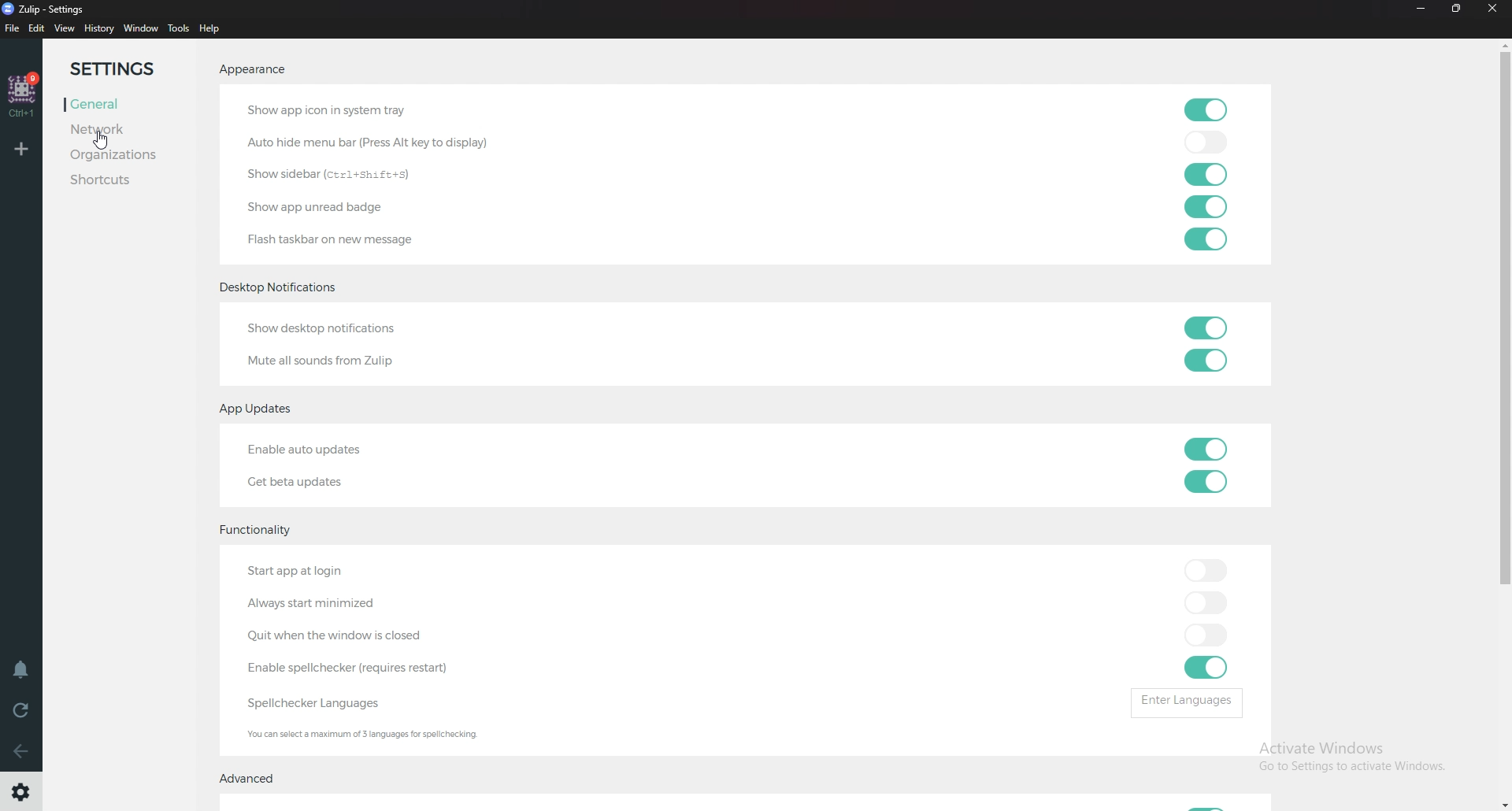 The image size is (1512, 811). Describe the element at coordinates (328, 361) in the screenshot. I see `mute all sounds from Zulip` at that location.